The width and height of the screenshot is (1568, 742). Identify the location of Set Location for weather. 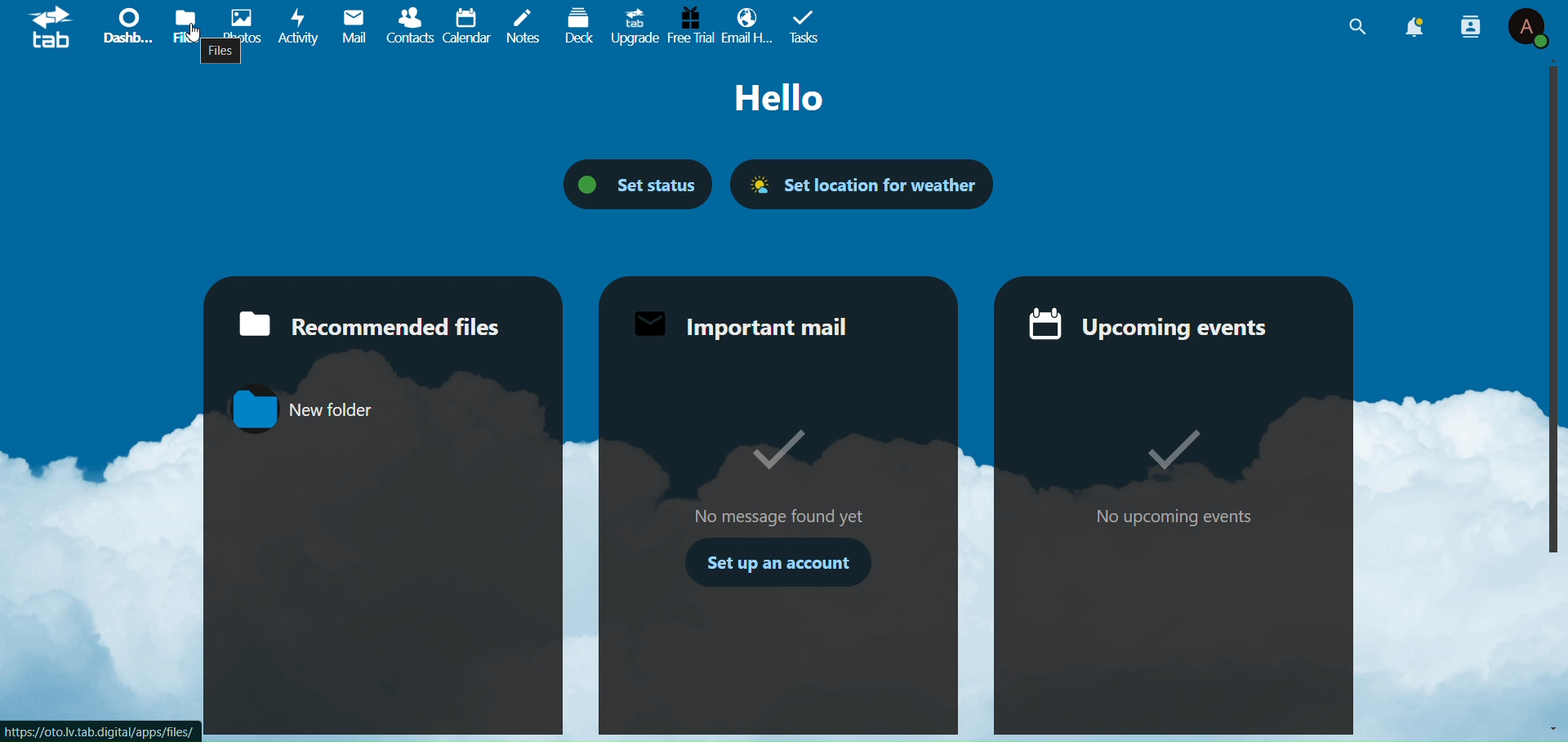
(862, 179).